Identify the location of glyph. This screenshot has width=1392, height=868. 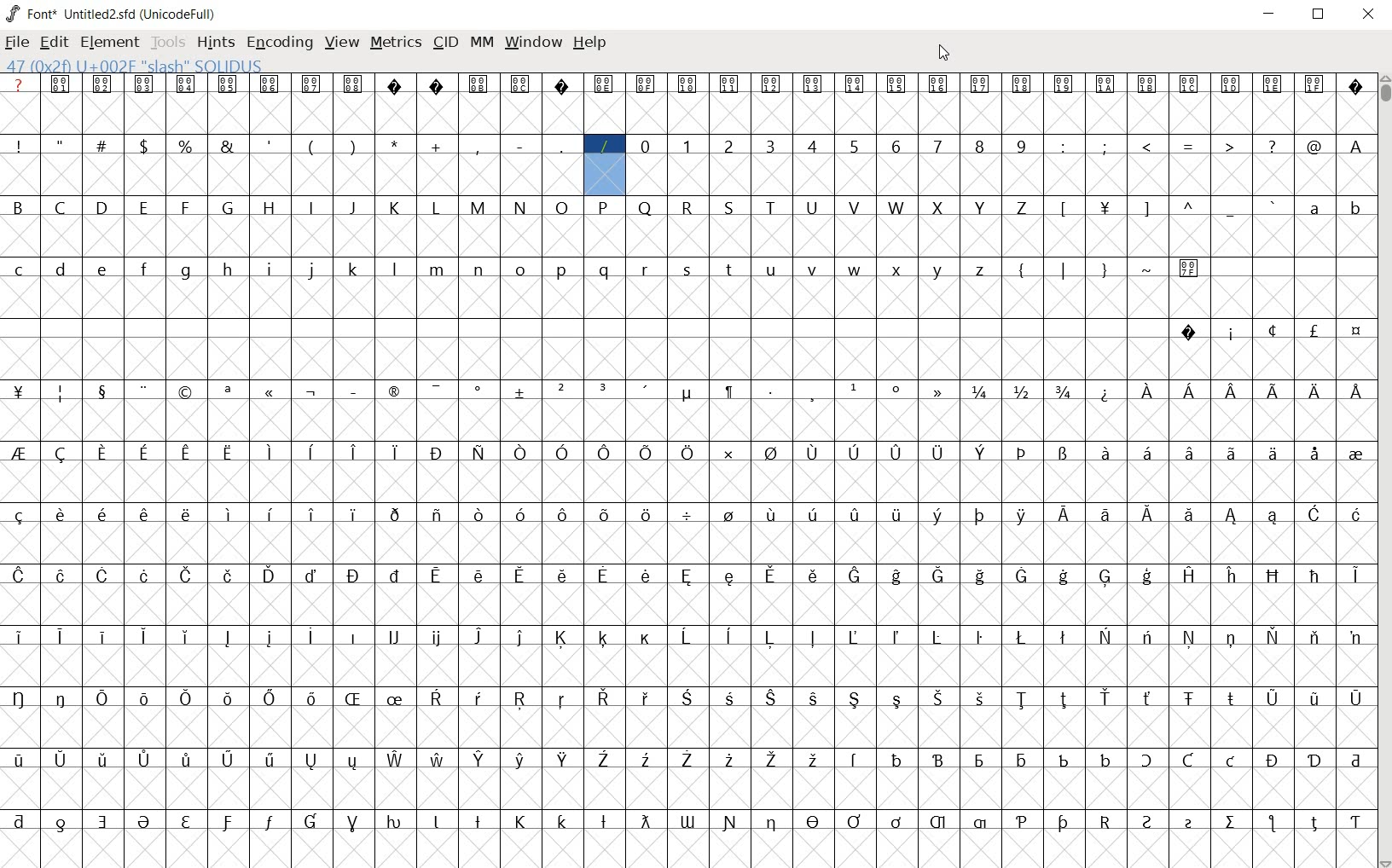
(1356, 576).